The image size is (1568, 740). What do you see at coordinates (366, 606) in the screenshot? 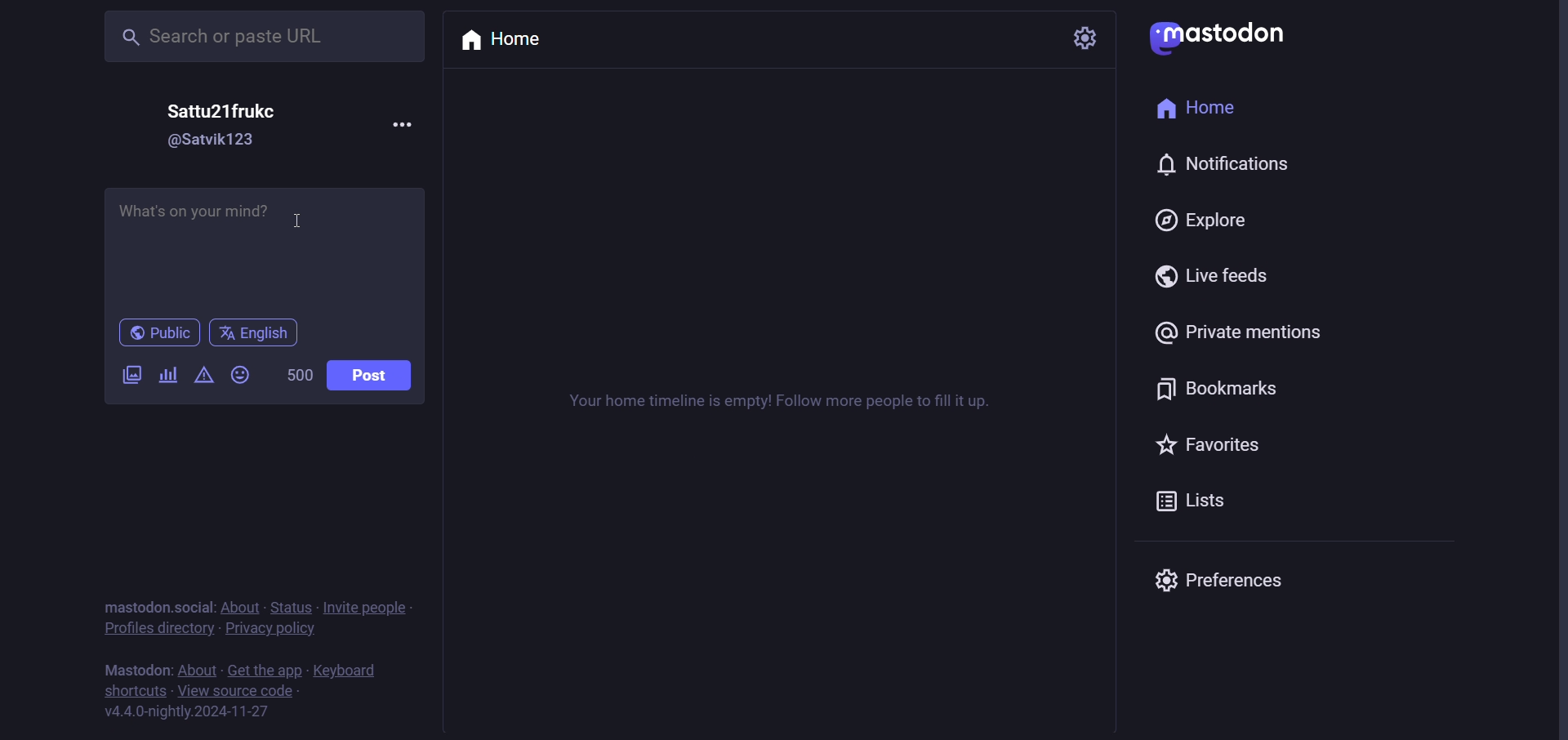
I see `invite people` at bounding box center [366, 606].